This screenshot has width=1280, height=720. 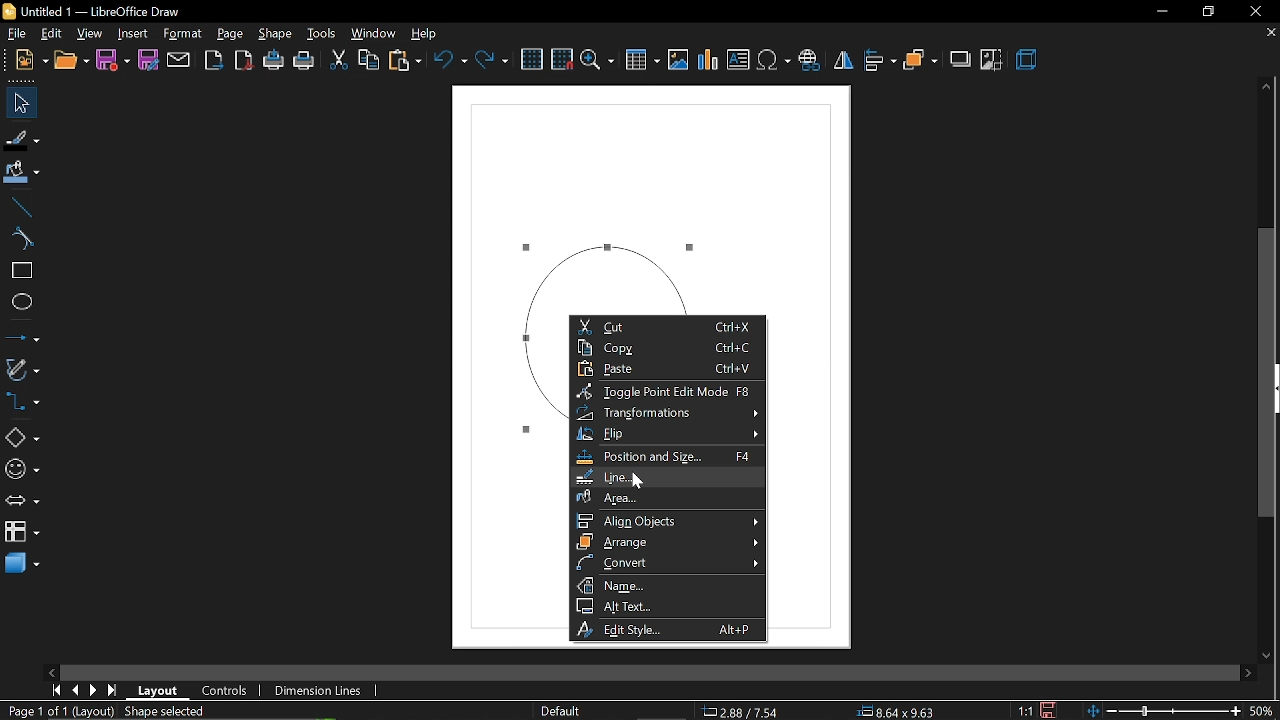 I want to click on fill line, so click(x=21, y=137).